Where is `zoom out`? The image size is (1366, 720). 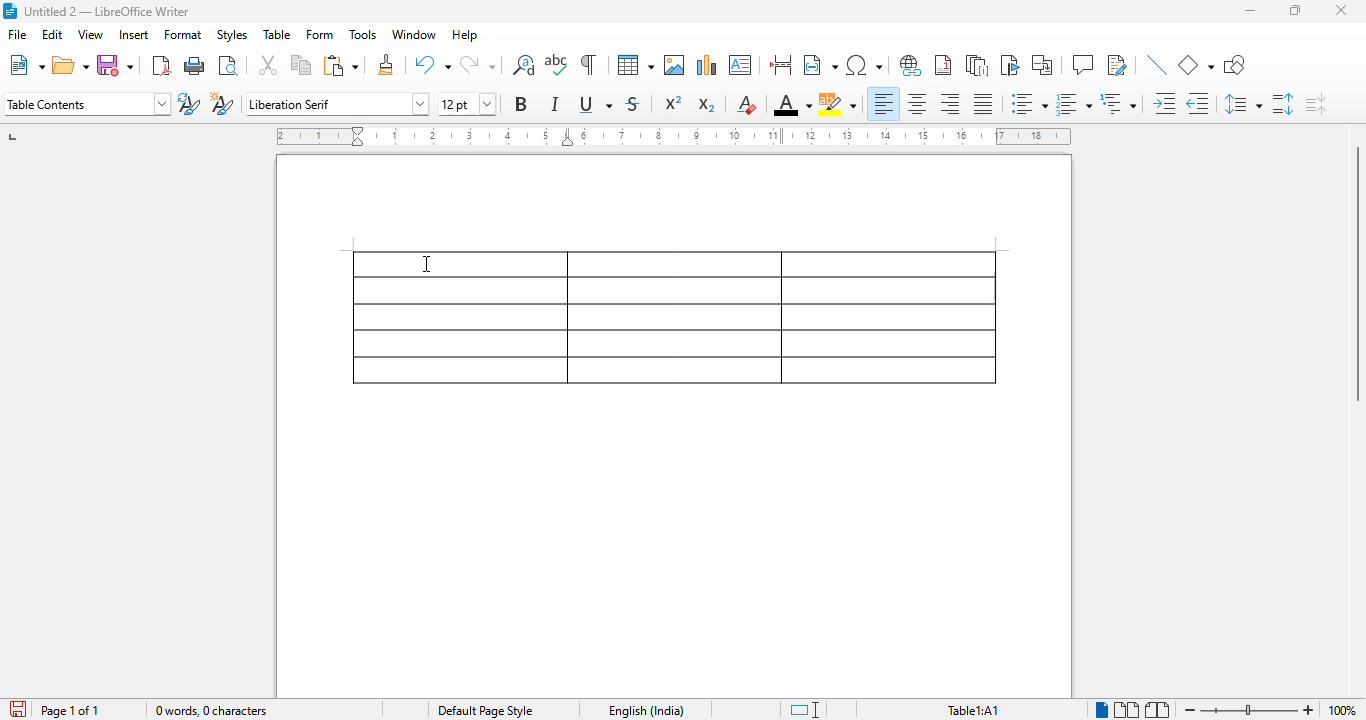
zoom out is located at coordinates (1190, 711).